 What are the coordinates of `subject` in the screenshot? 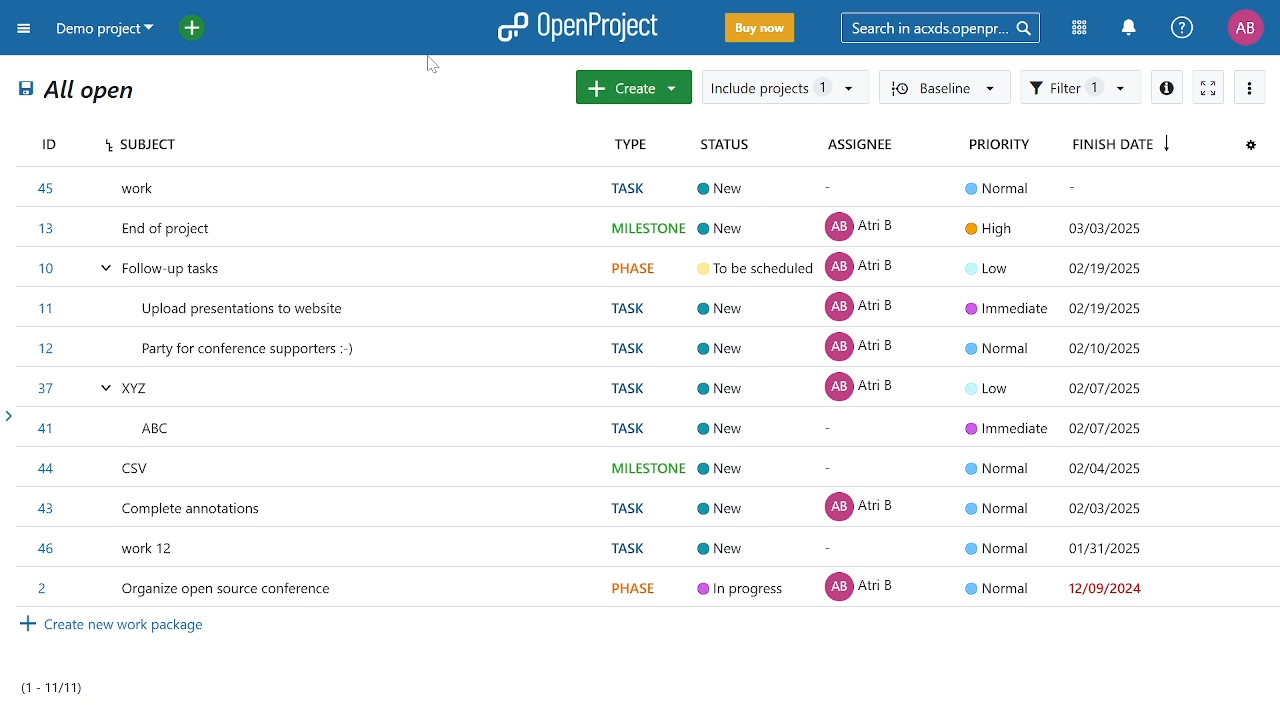 It's located at (347, 145).